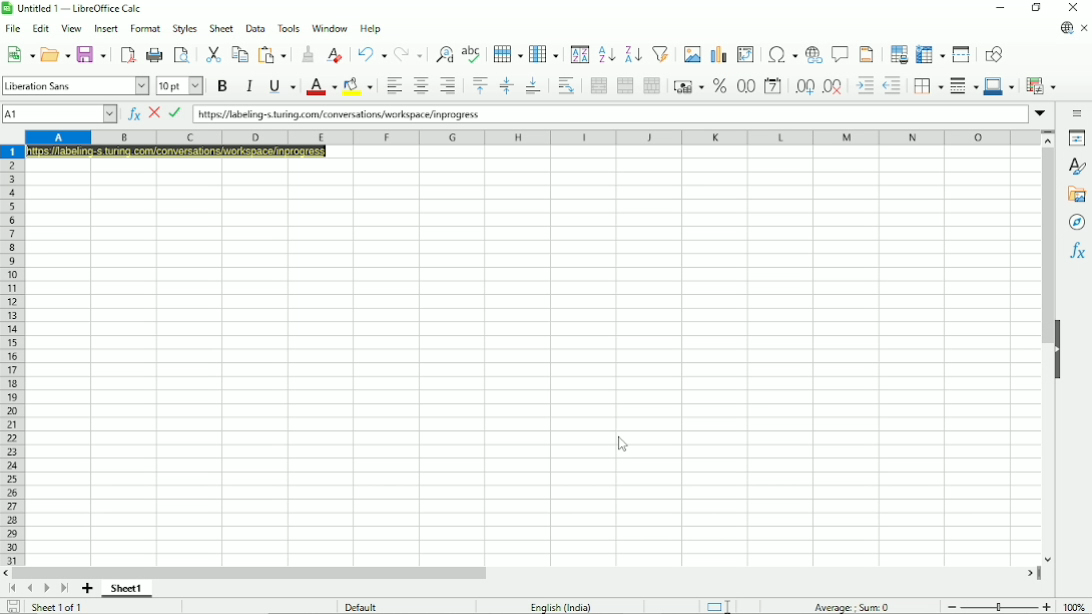  I want to click on Clear direct formatting, so click(334, 55).